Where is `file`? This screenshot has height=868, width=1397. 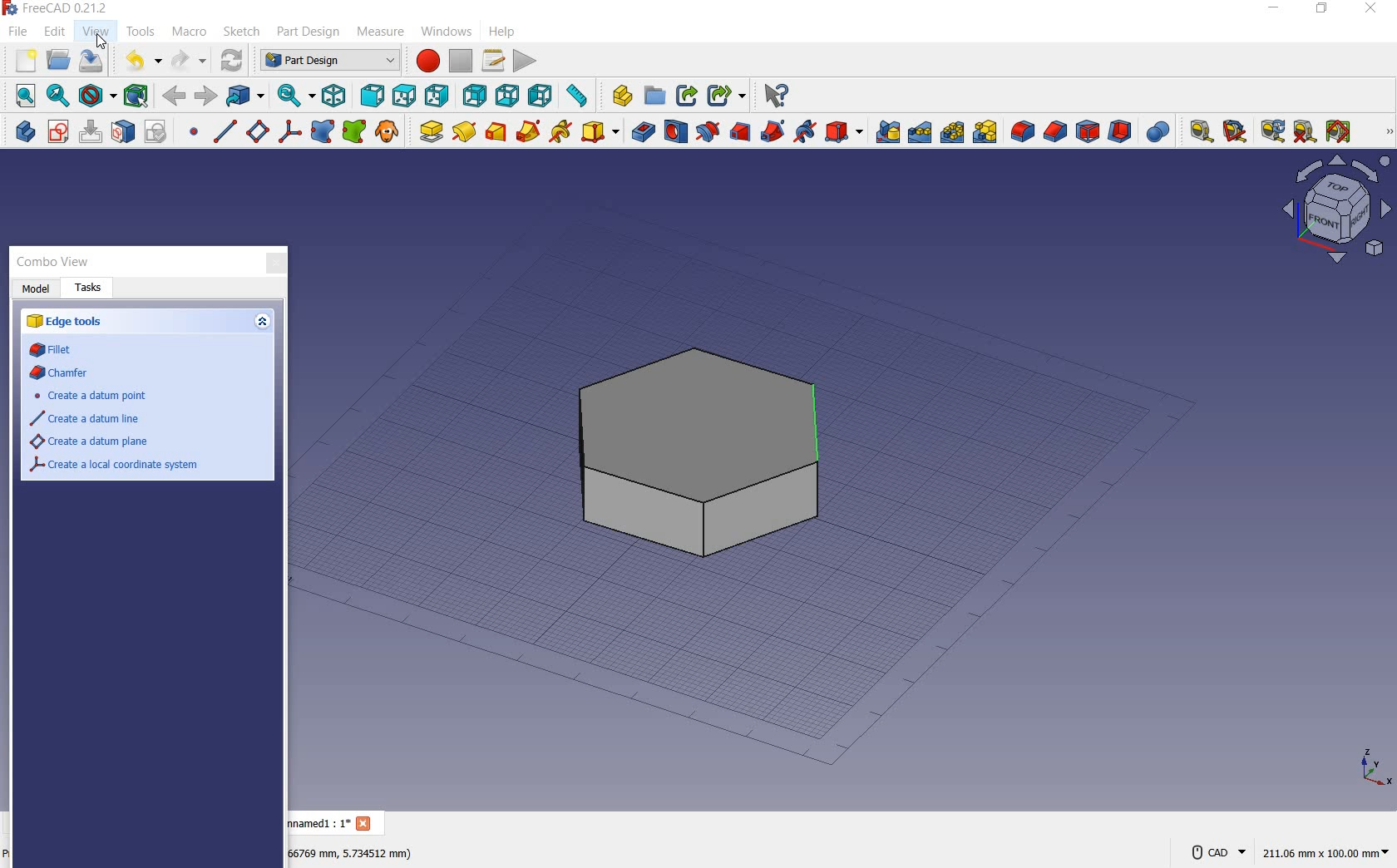
file is located at coordinates (16, 33).